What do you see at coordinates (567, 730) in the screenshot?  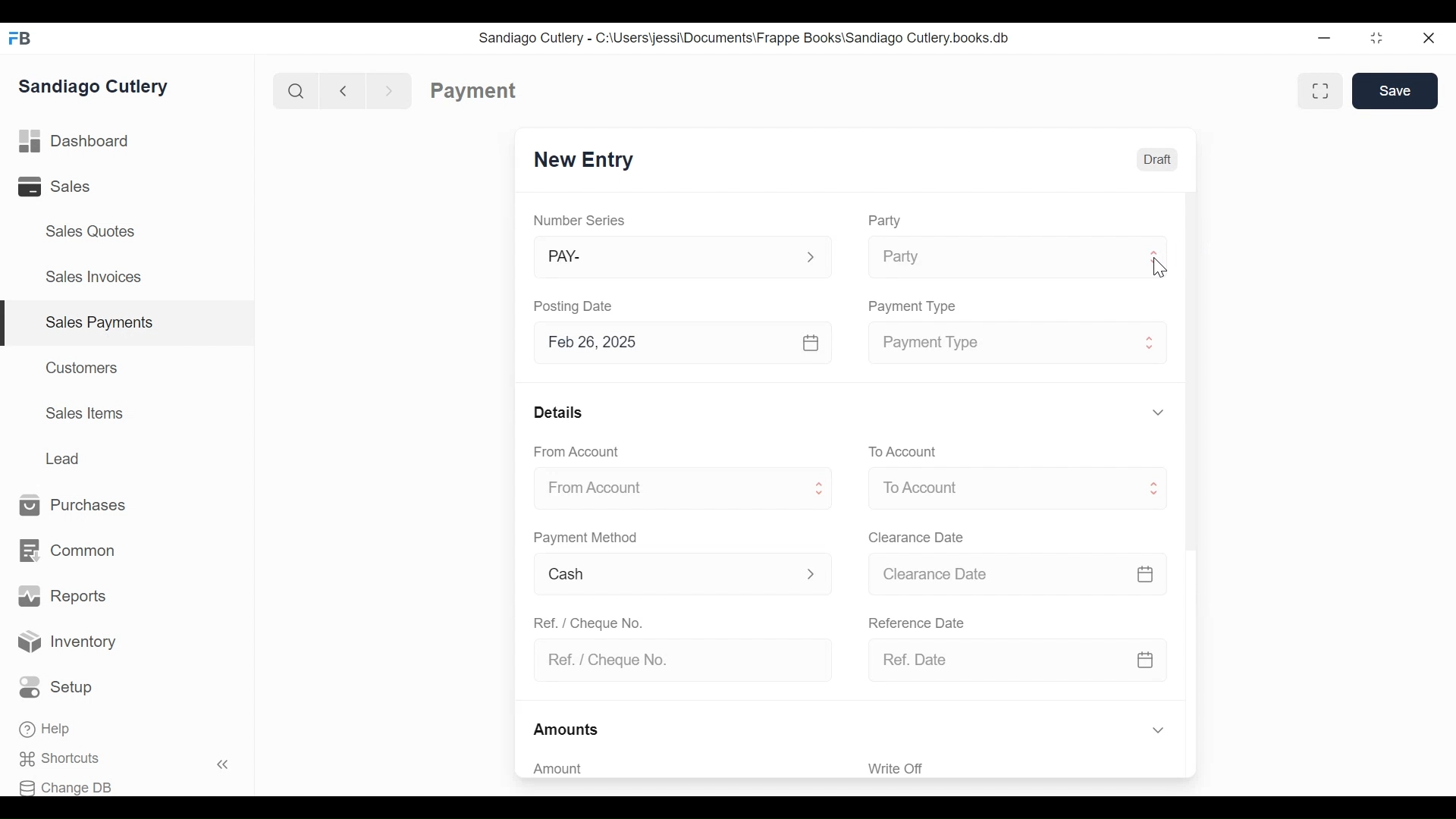 I see `Amounts` at bounding box center [567, 730].